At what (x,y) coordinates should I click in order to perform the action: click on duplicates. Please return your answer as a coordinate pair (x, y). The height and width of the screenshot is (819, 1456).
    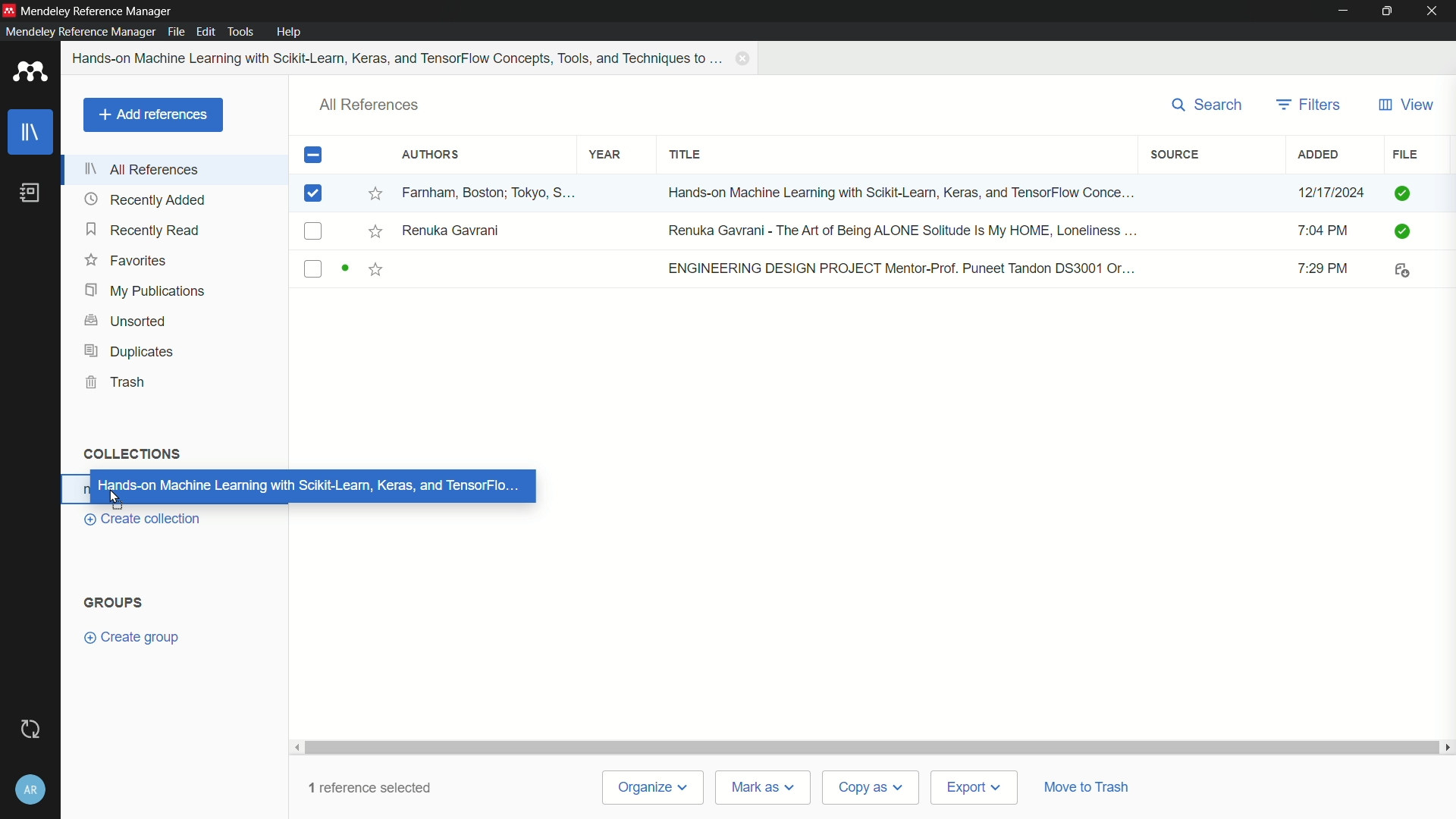
    Looking at the image, I should click on (130, 351).